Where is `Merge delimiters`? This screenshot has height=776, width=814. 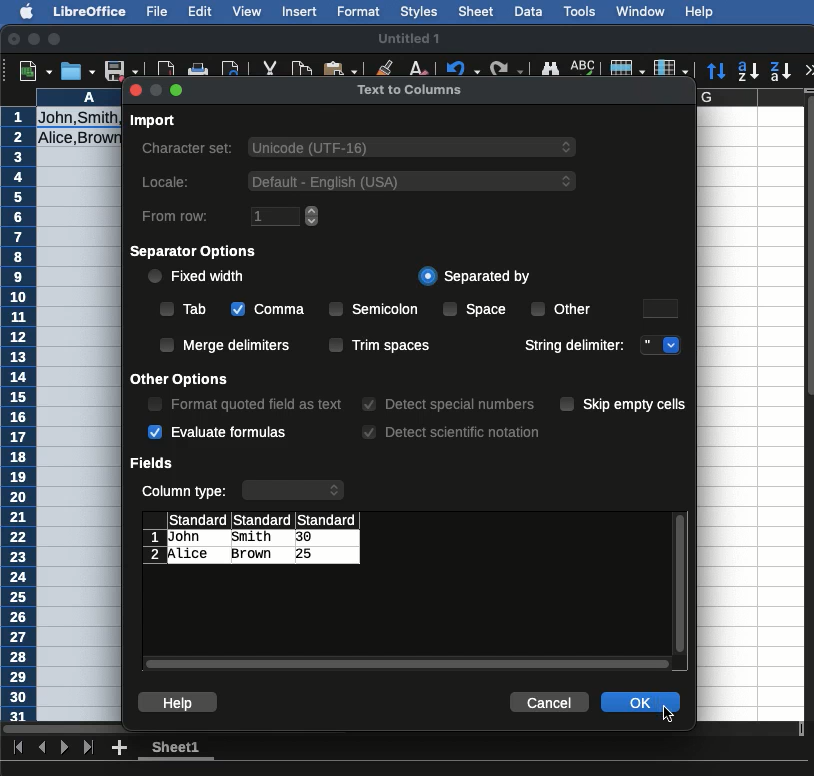
Merge delimiters is located at coordinates (225, 344).